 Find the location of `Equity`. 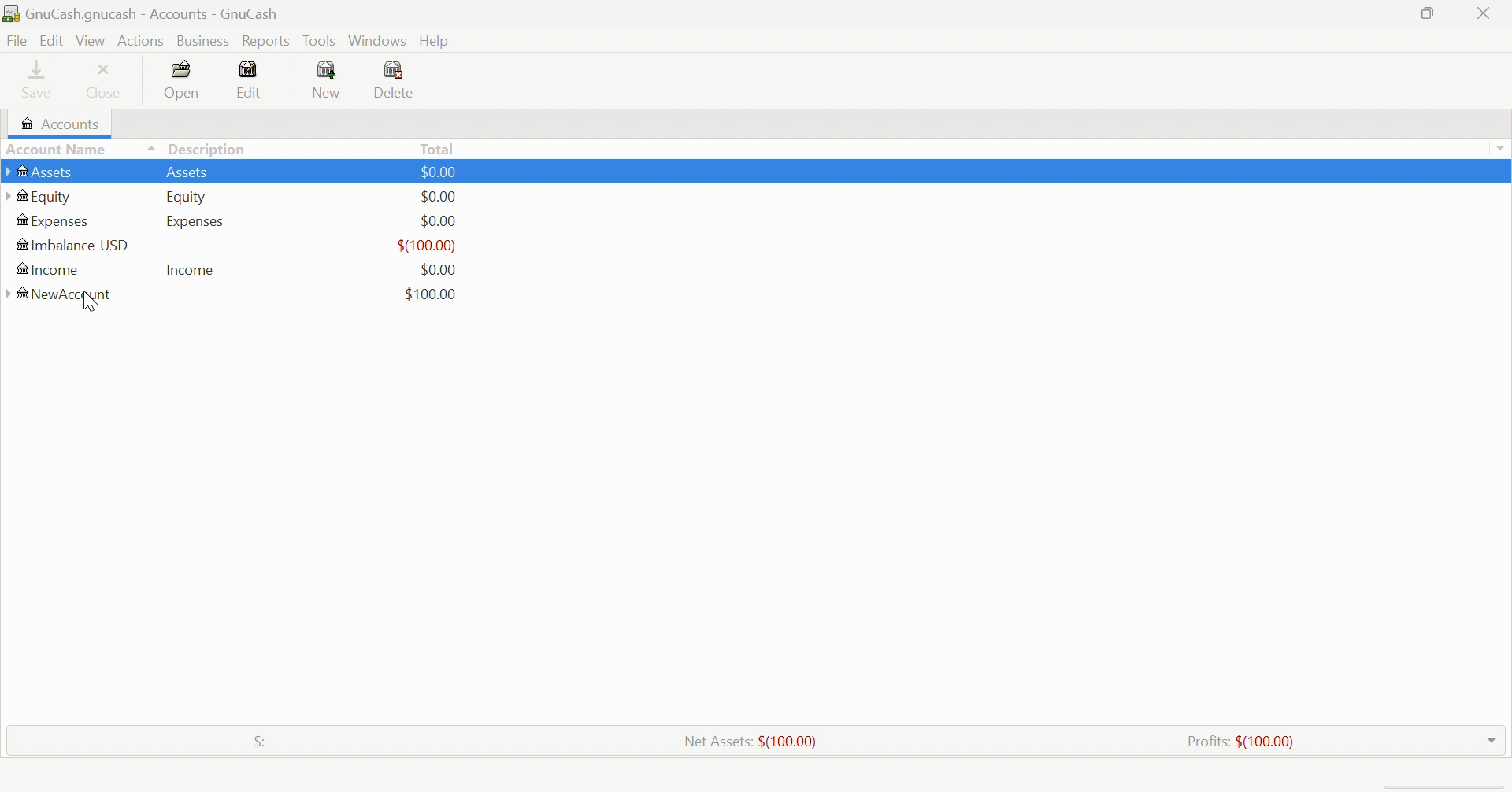

Equity is located at coordinates (185, 198).